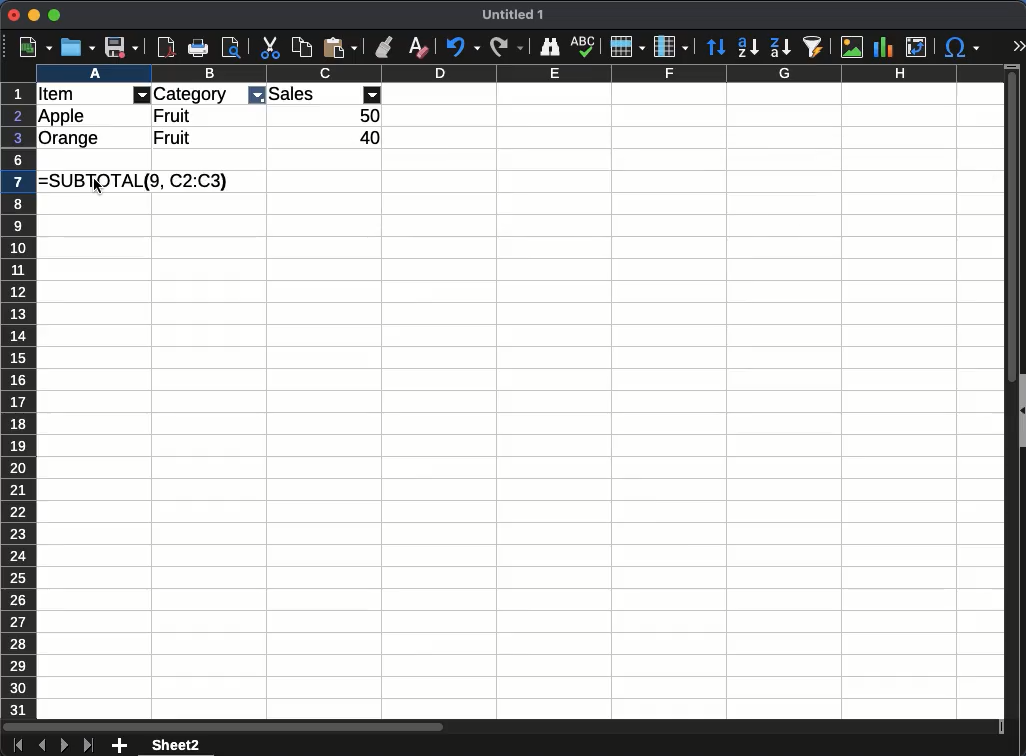  Describe the element at coordinates (119, 746) in the screenshot. I see `add` at that location.